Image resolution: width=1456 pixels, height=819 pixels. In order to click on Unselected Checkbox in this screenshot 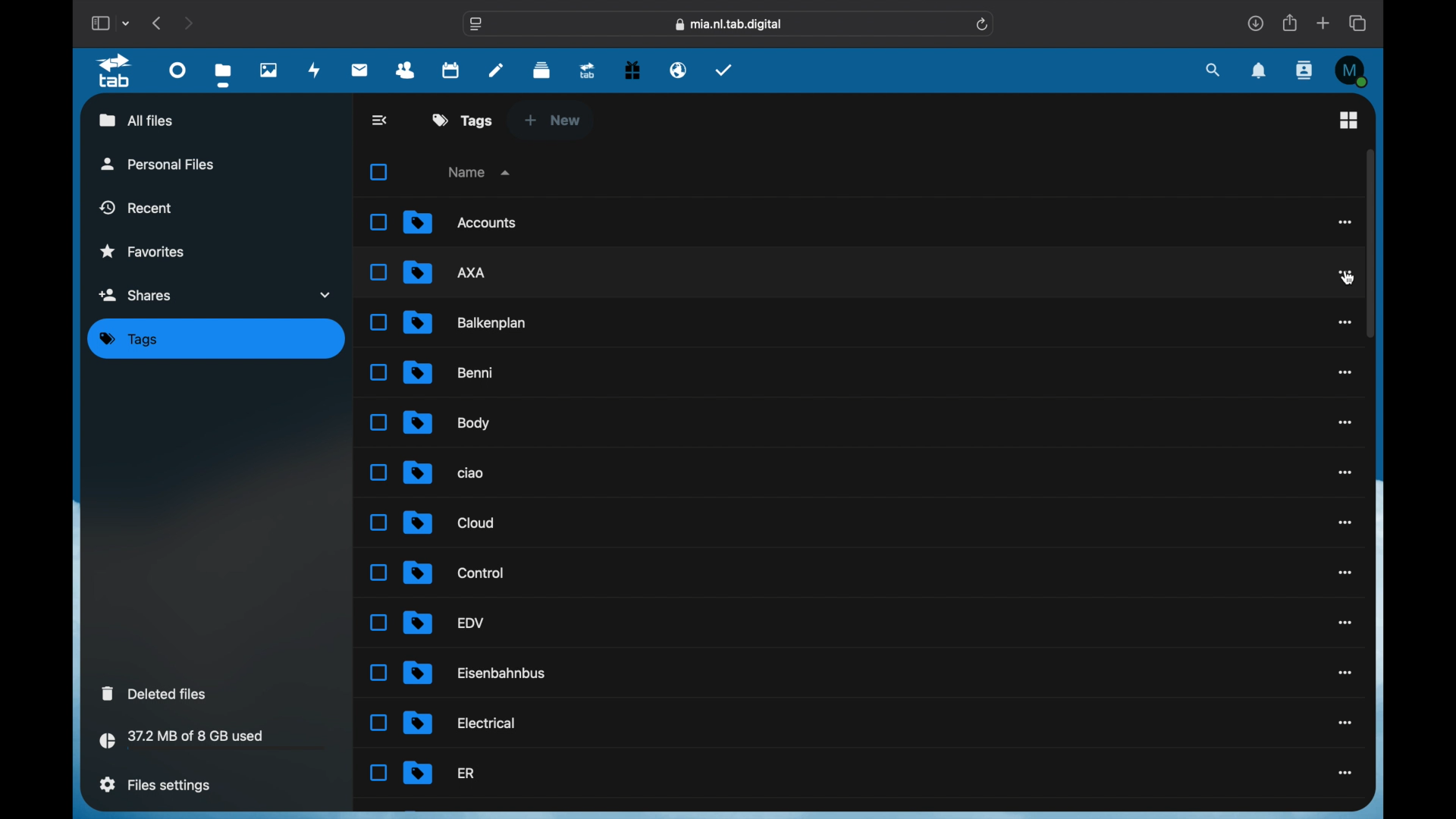, I will do `click(378, 522)`.